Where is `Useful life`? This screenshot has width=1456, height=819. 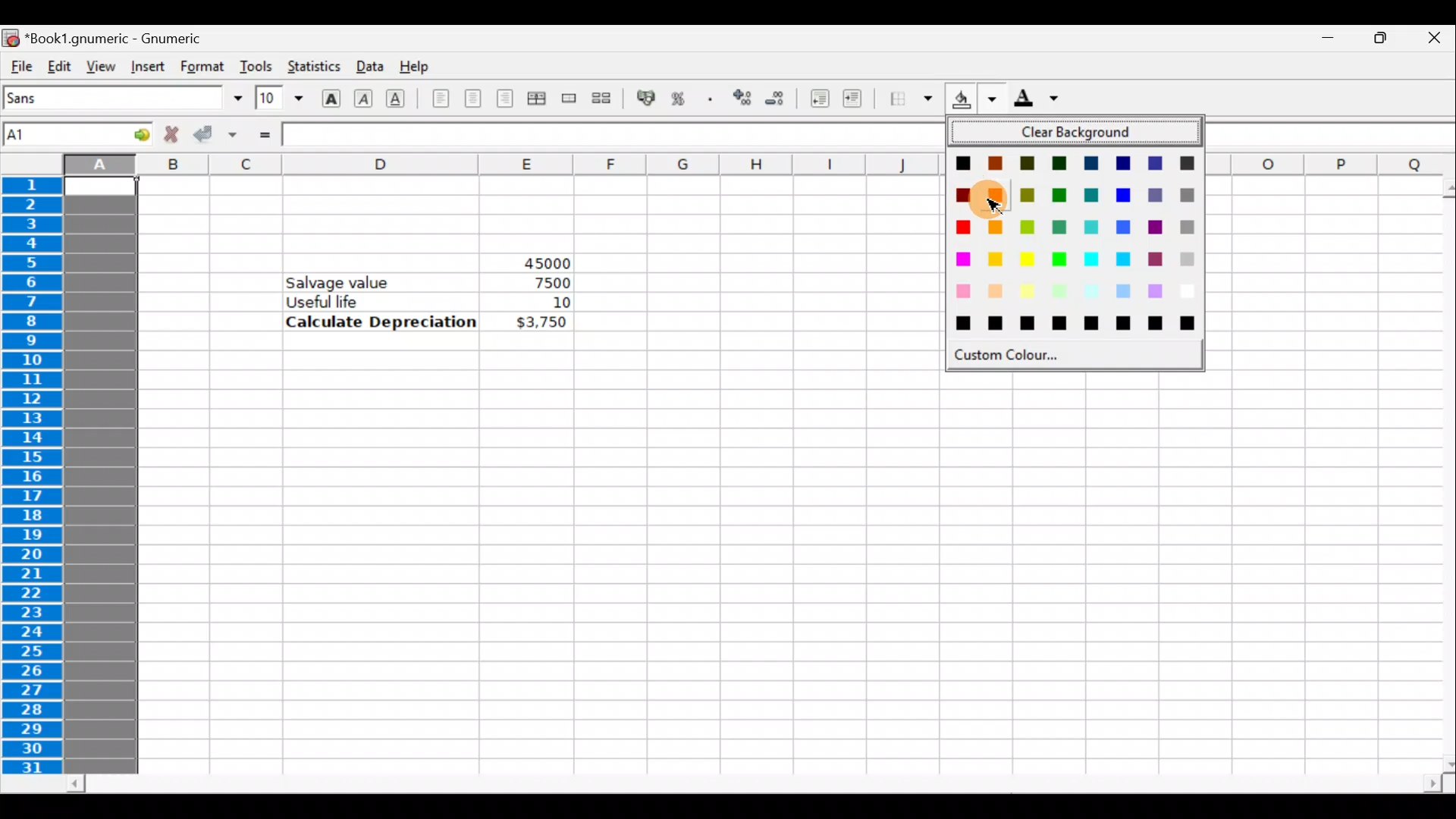 Useful life is located at coordinates (384, 301).